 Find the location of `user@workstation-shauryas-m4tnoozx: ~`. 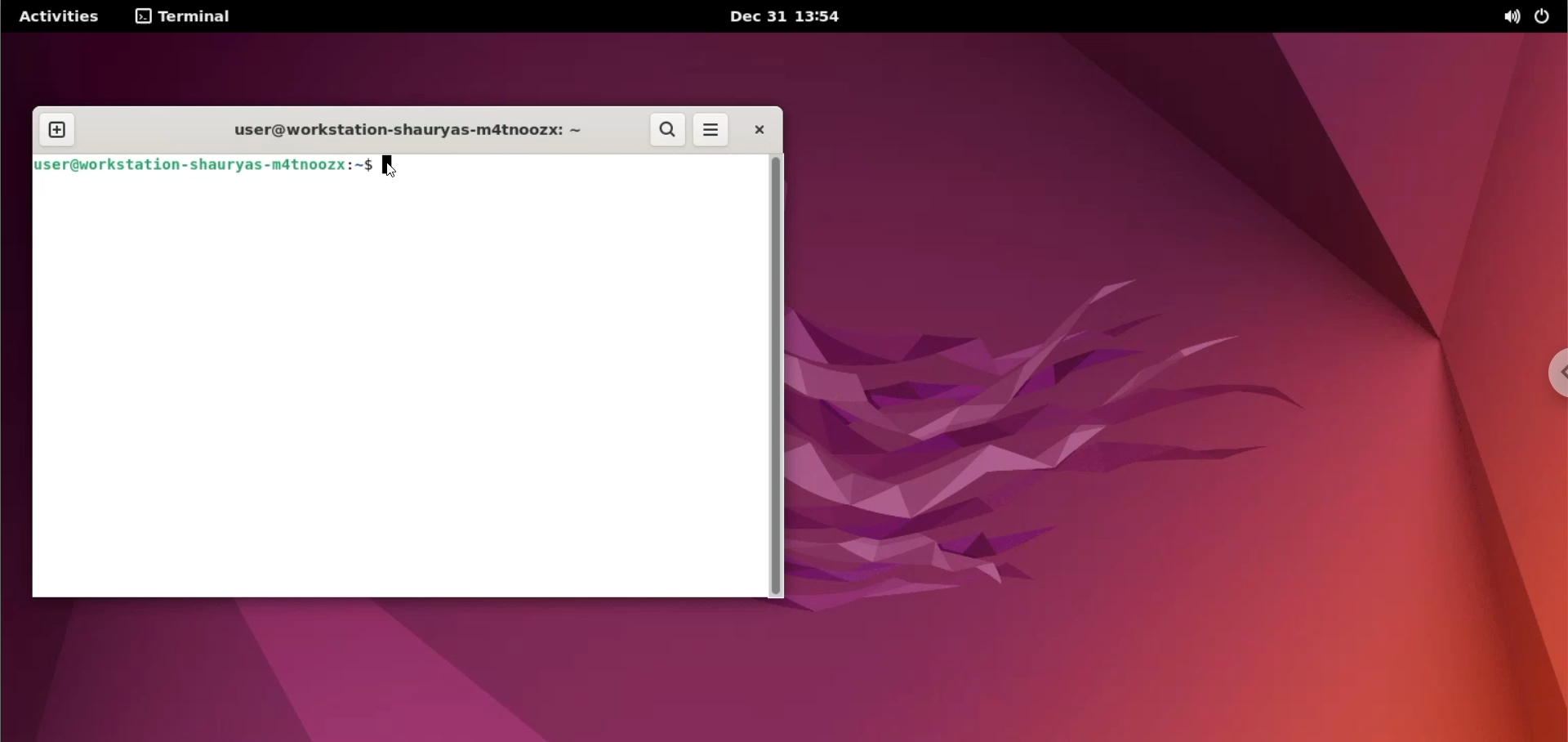

user@workstation-shauryas-m4tnoozx: ~ is located at coordinates (405, 134).